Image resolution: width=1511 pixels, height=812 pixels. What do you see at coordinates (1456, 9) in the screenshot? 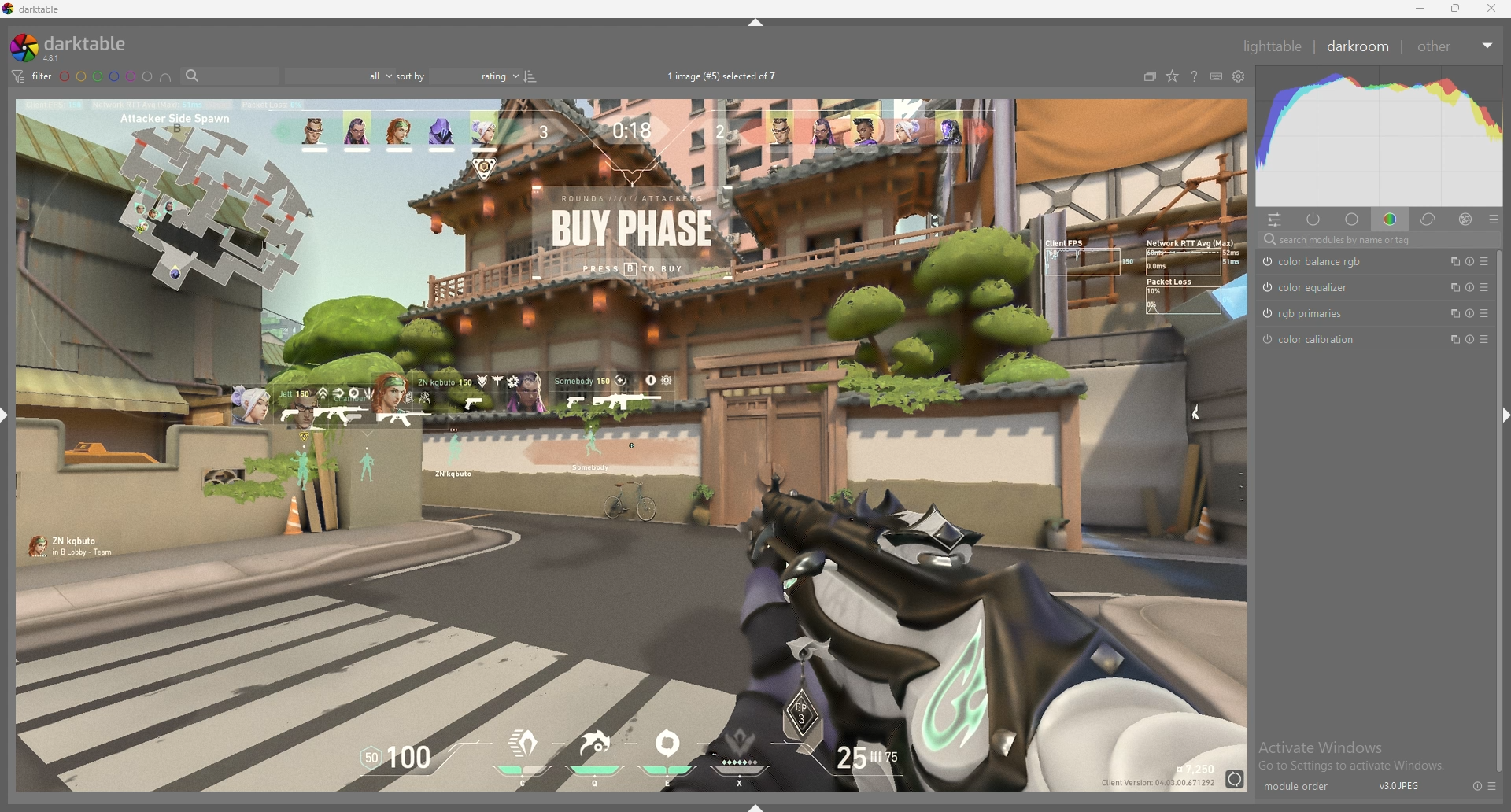
I see `resize` at bounding box center [1456, 9].